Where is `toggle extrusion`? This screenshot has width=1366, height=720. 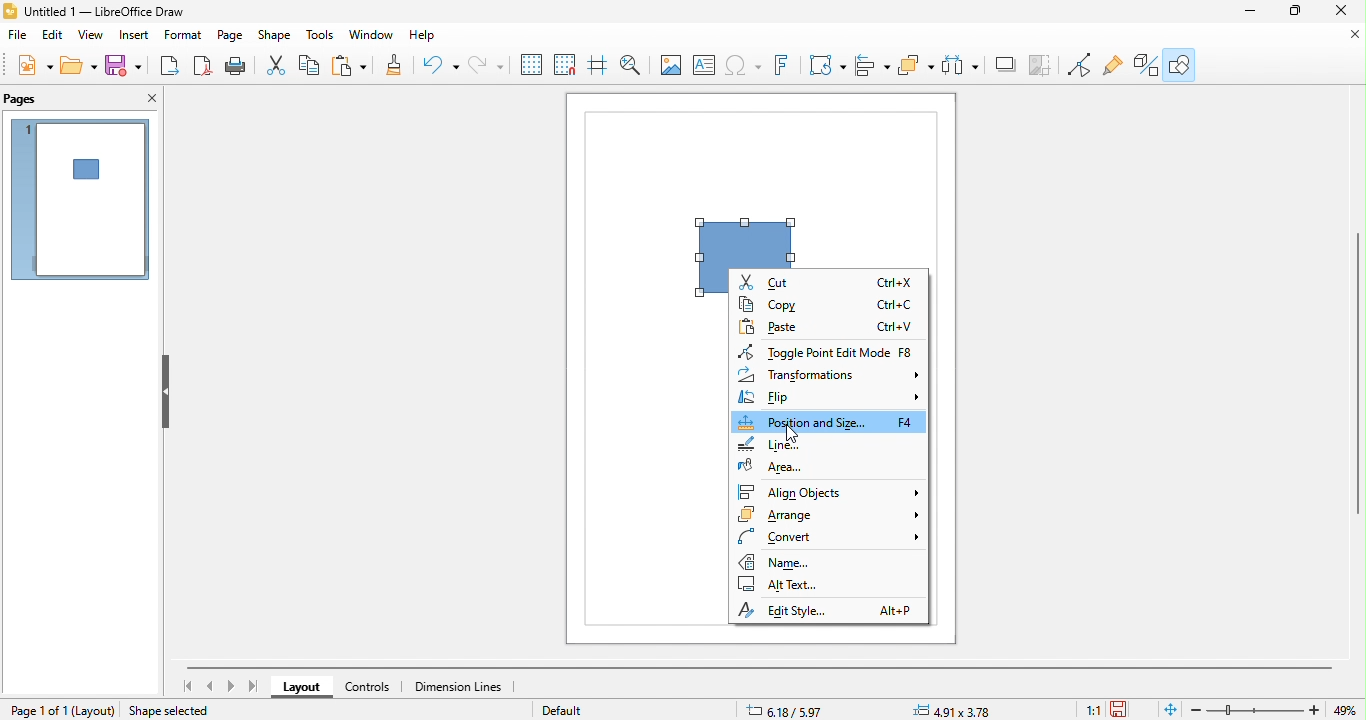 toggle extrusion is located at coordinates (1142, 65).